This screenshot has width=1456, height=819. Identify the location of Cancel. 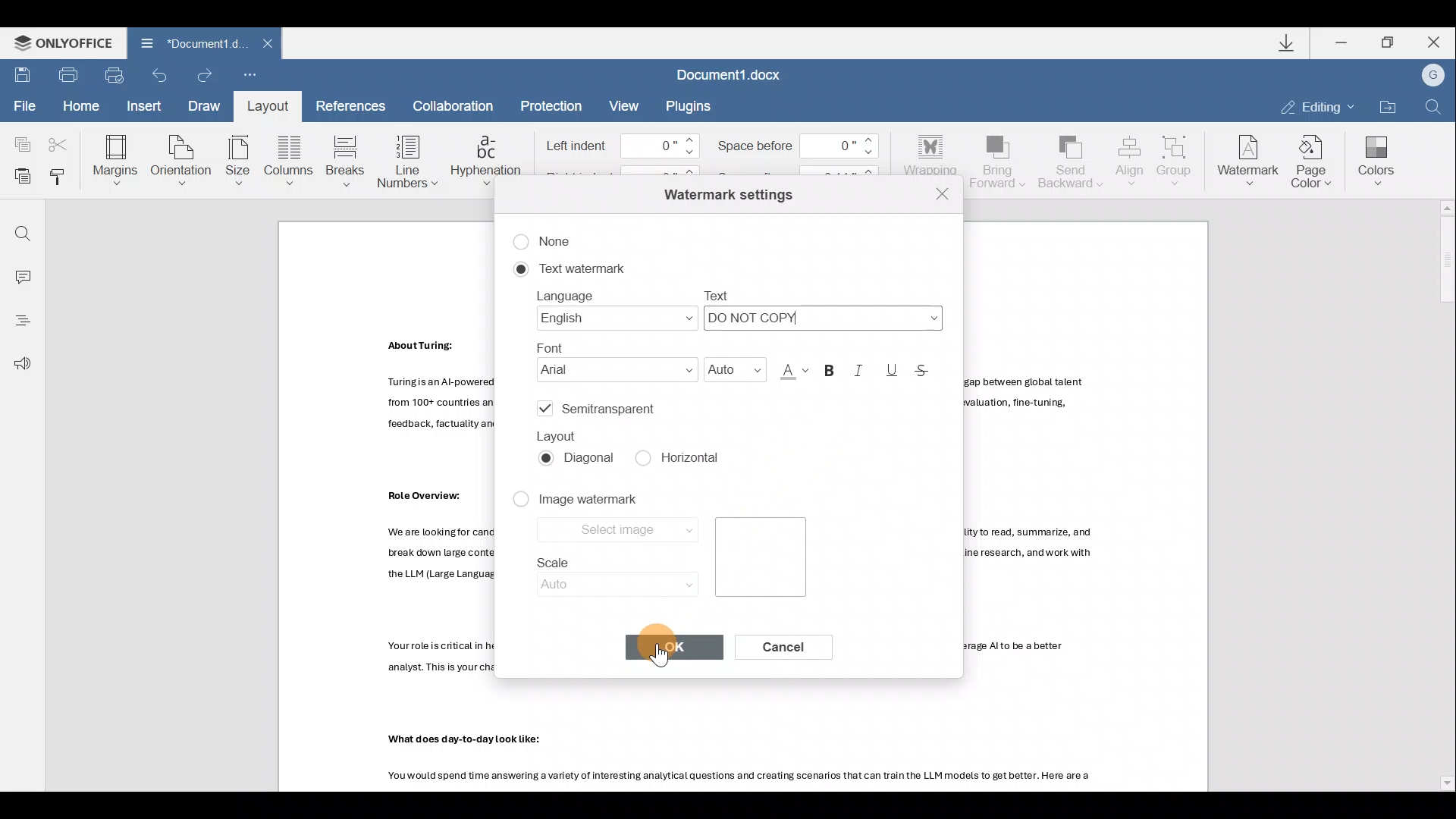
(795, 651).